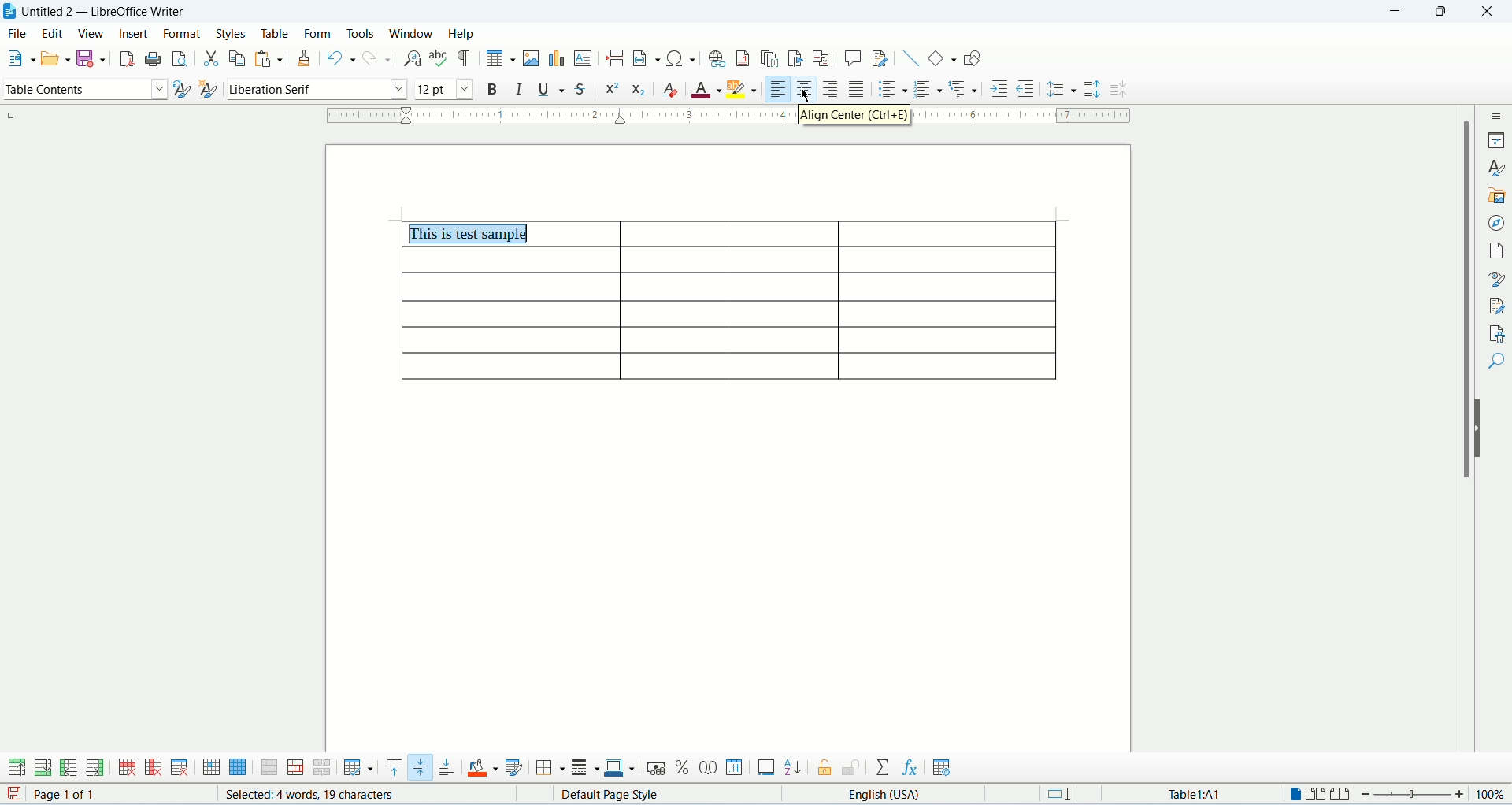 This screenshot has height=805, width=1512. What do you see at coordinates (180, 766) in the screenshot?
I see `delete table` at bounding box center [180, 766].